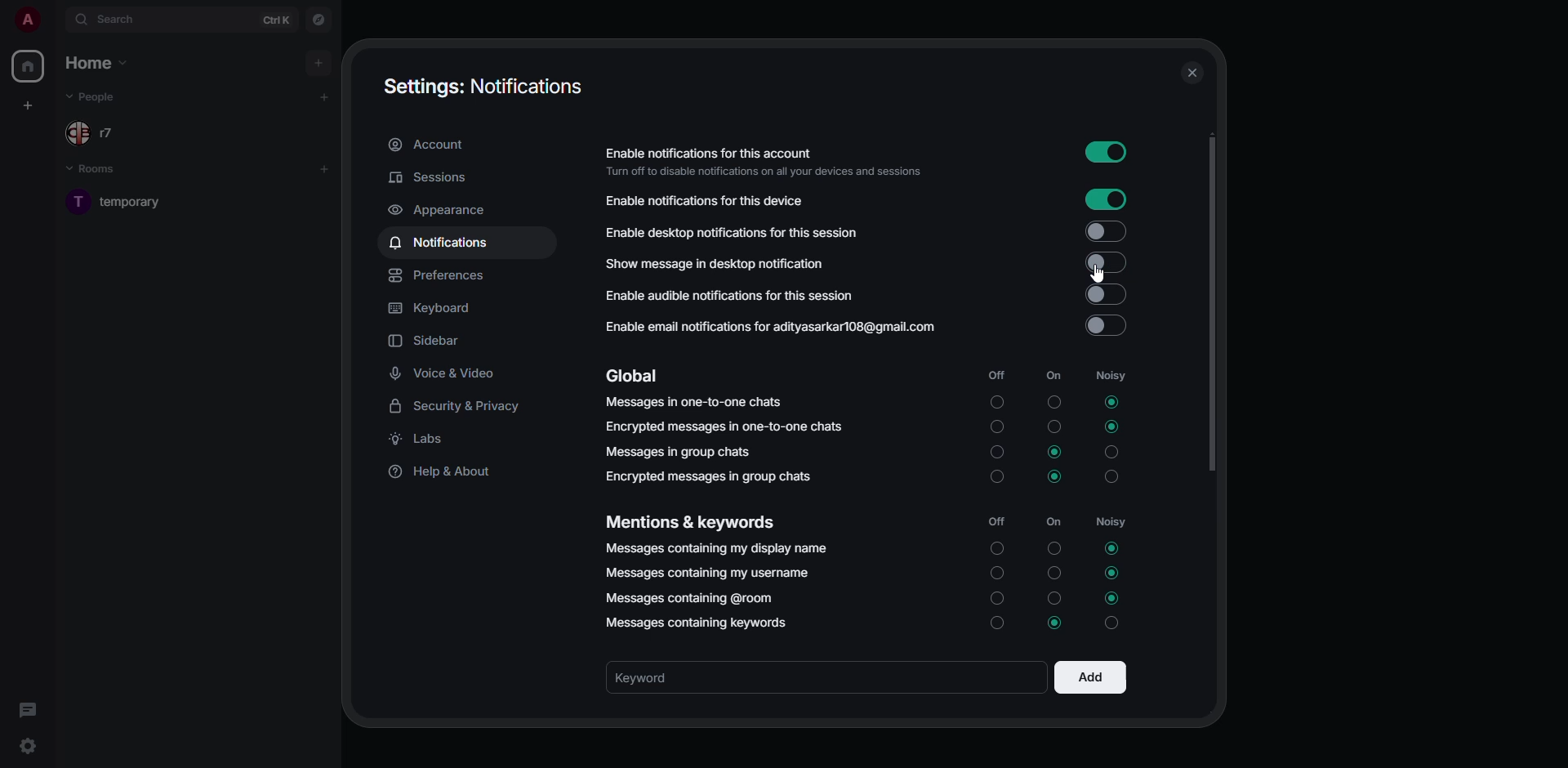  What do you see at coordinates (1054, 597) in the screenshot?
I see `On Unselected` at bounding box center [1054, 597].